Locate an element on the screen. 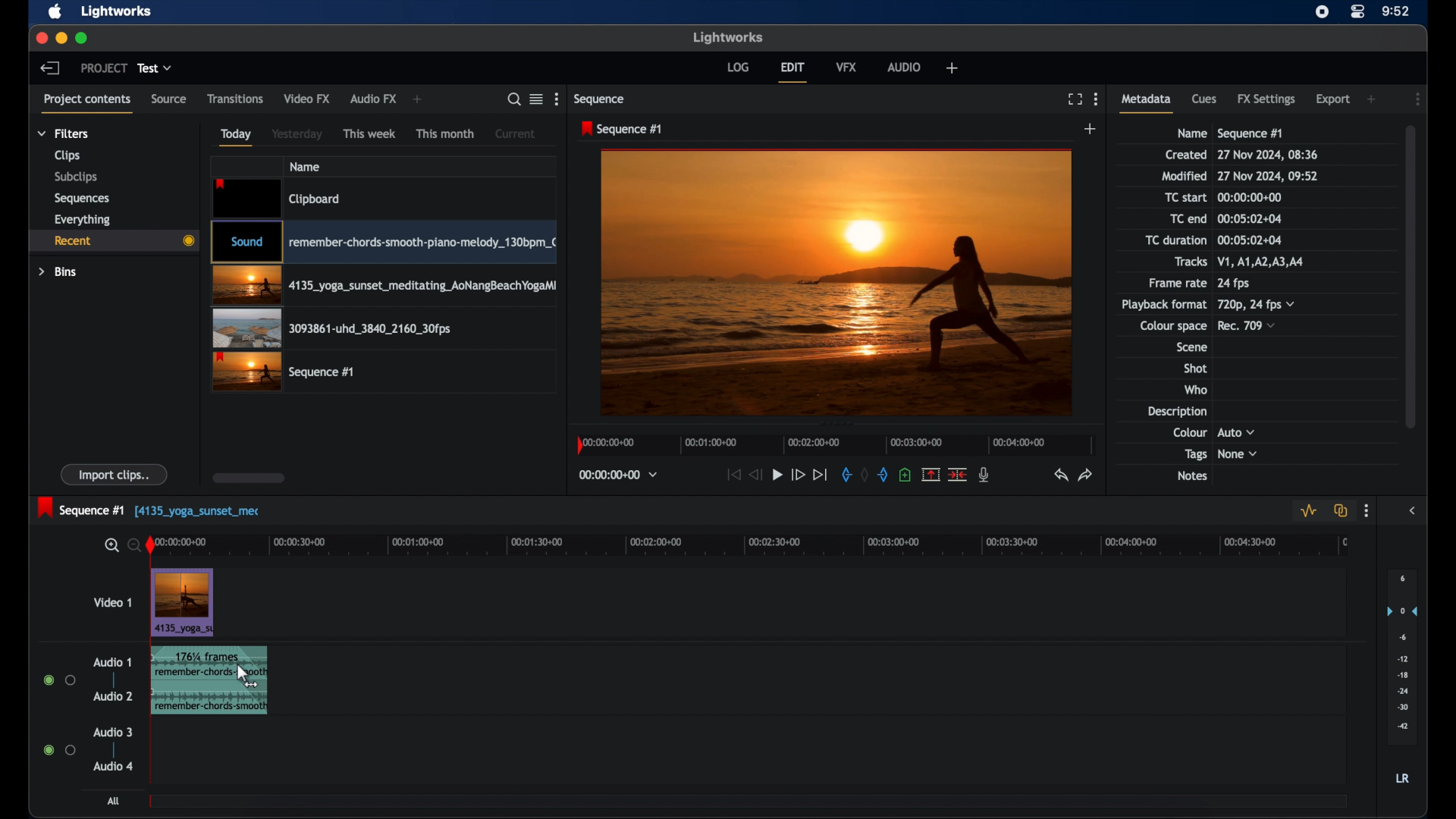 This screenshot has width=1456, height=819. fx settongs is located at coordinates (1268, 99).